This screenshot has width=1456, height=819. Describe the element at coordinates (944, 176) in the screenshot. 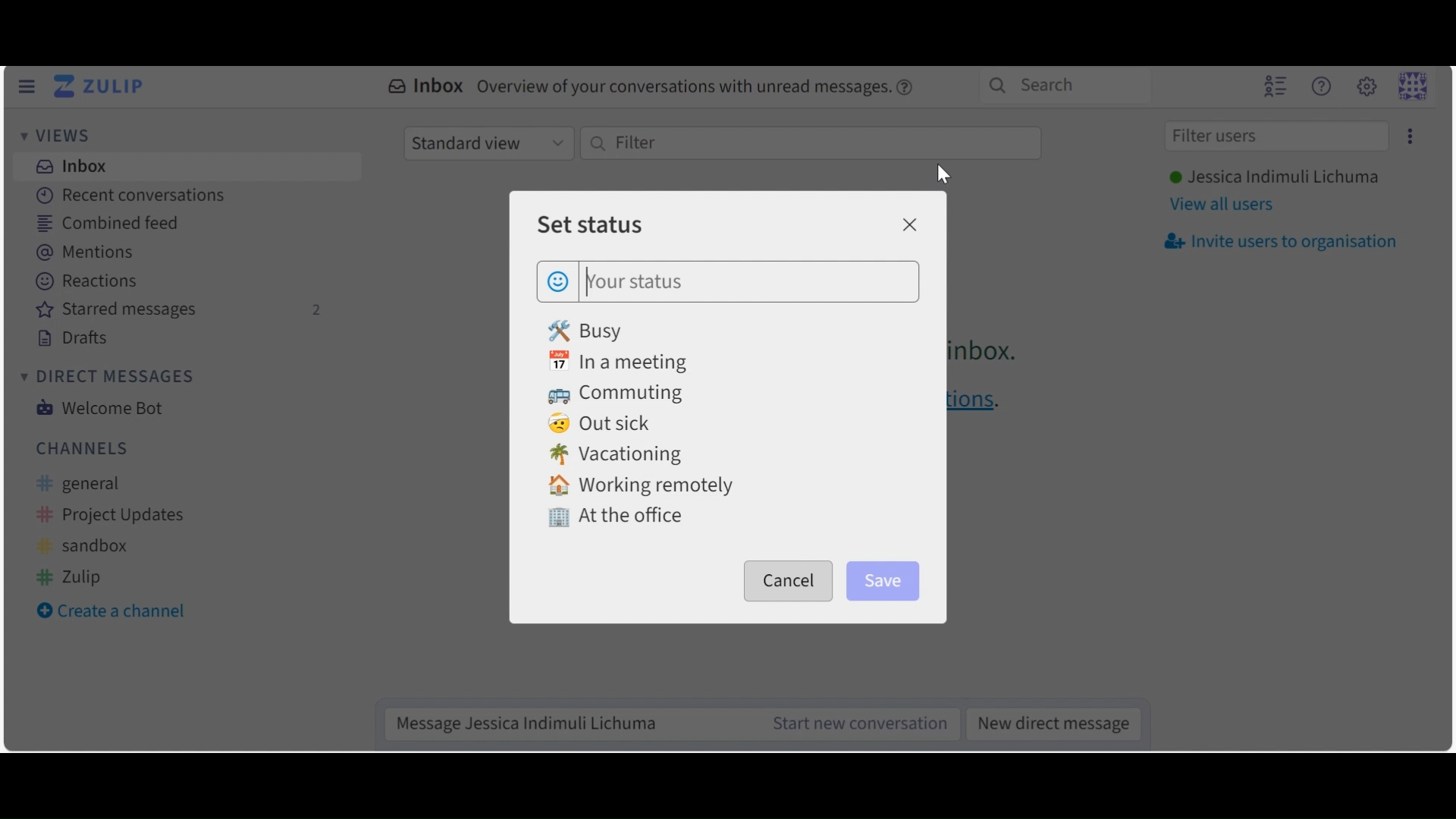

I see `cursor` at that location.